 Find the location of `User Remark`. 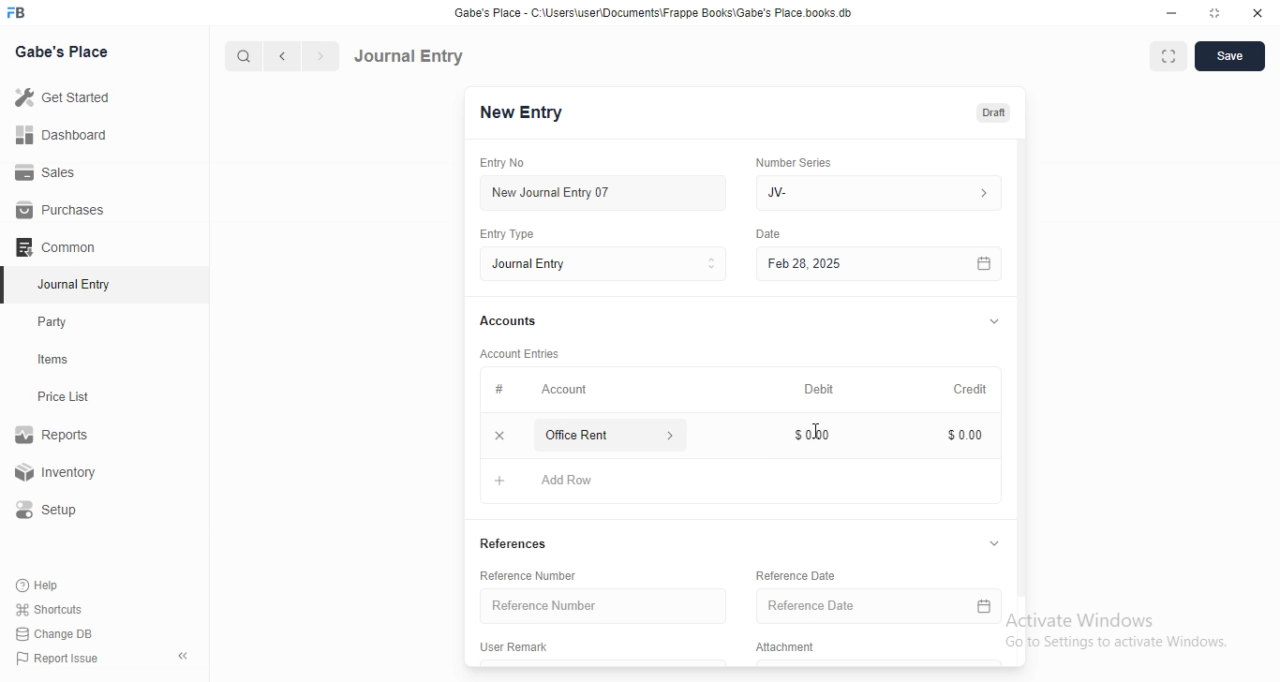

User Remark is located at coordinates (517, 649).